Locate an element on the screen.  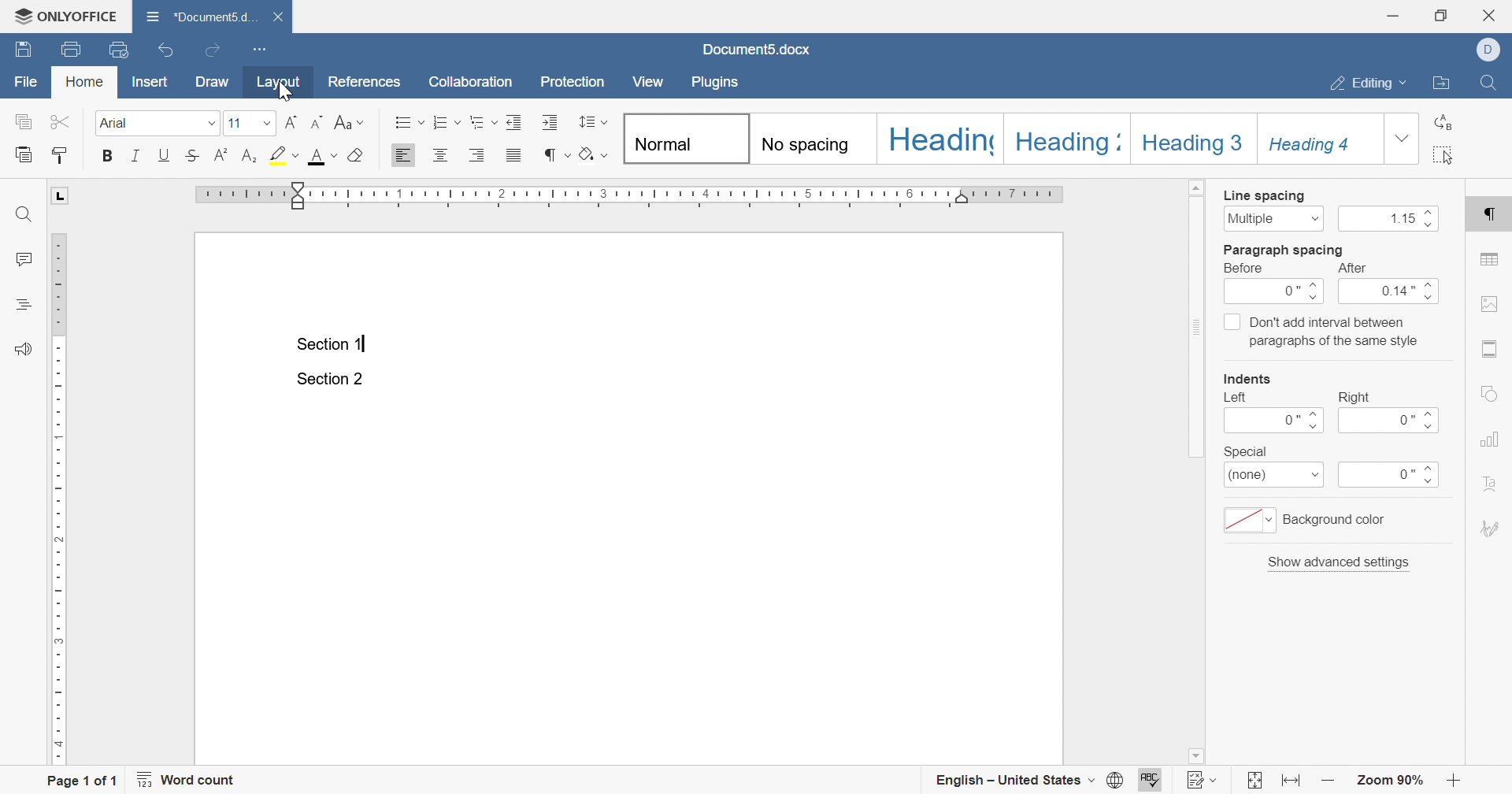
0.14 is located at coordinates (1392, 293).